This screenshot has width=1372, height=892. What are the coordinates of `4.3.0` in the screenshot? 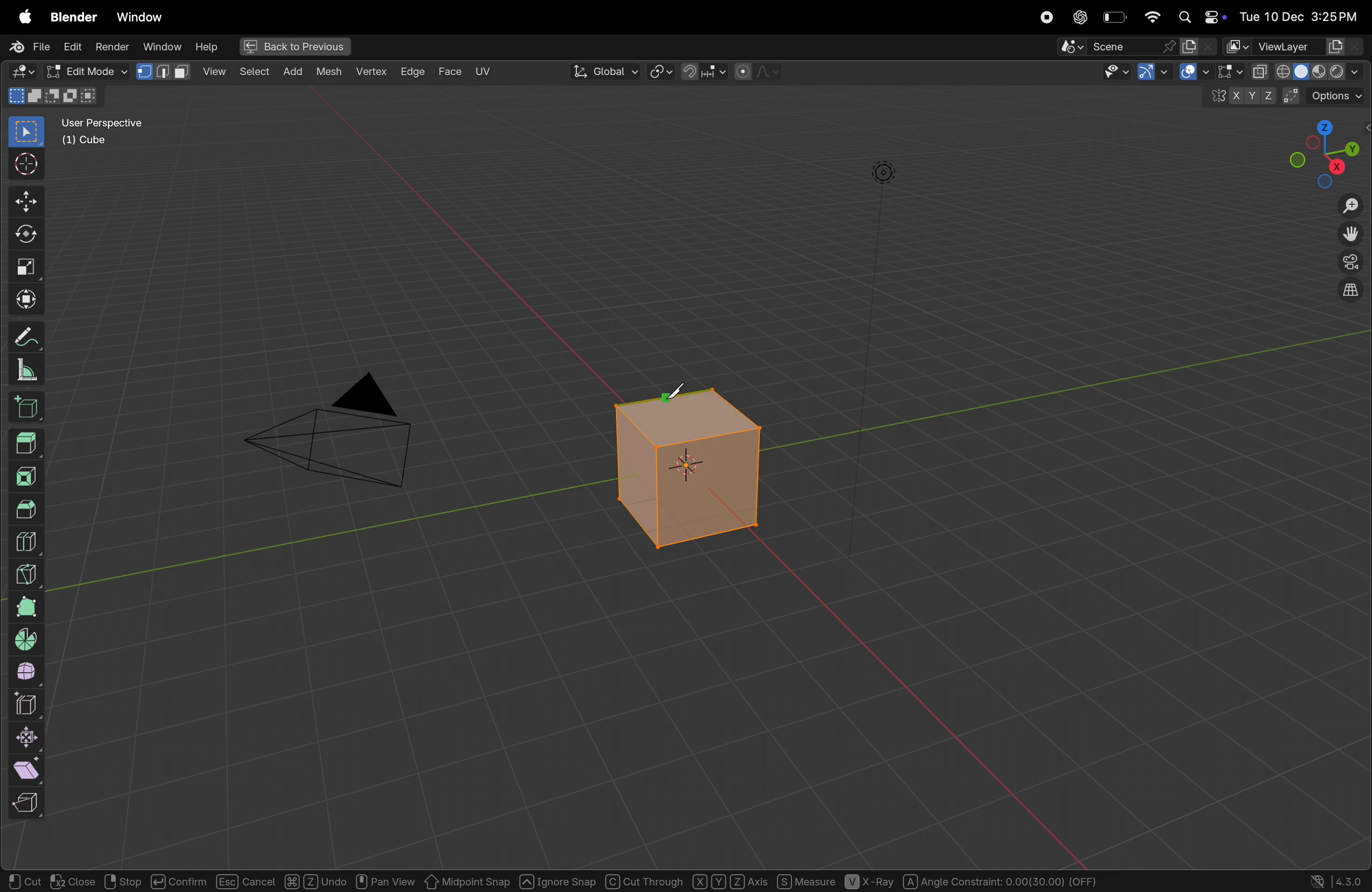 It's located at (1352, 880).